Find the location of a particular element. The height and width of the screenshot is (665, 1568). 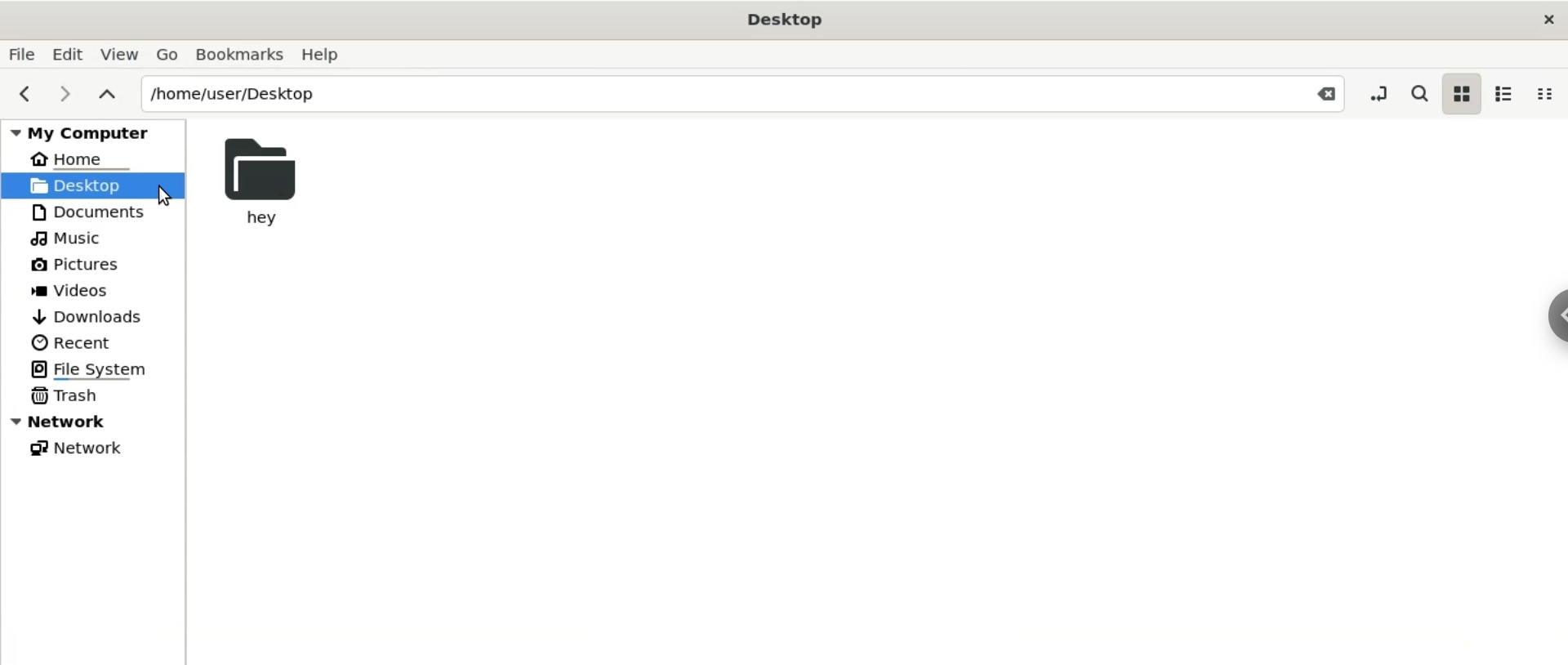

icon view is located at coordinates (1465, 96).